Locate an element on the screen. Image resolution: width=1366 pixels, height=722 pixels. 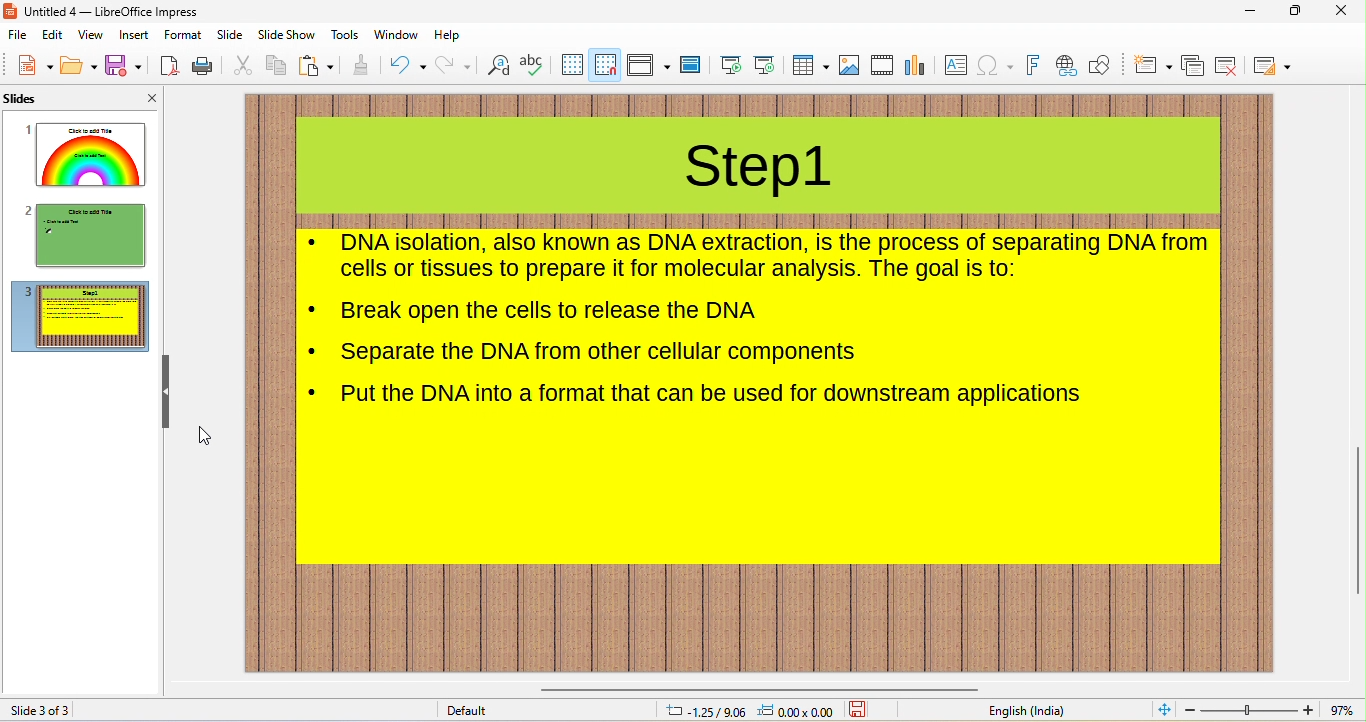
horizontal scroll bar is located at coordinates (755, 685).